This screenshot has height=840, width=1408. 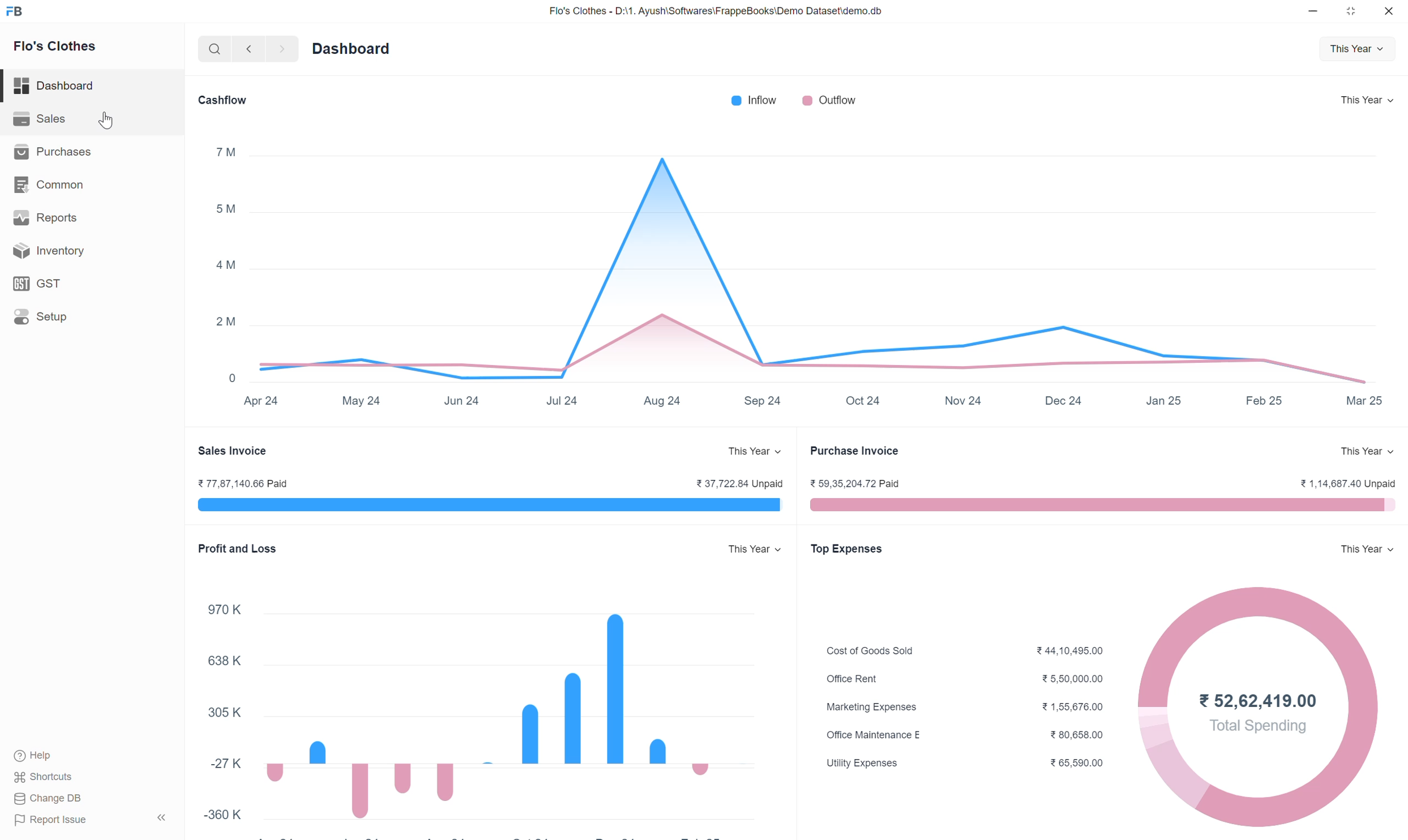 What do you see at coordinates (1261, 620) in the screenshot?
I see `donut chart` at bounding box center [1261, 620].